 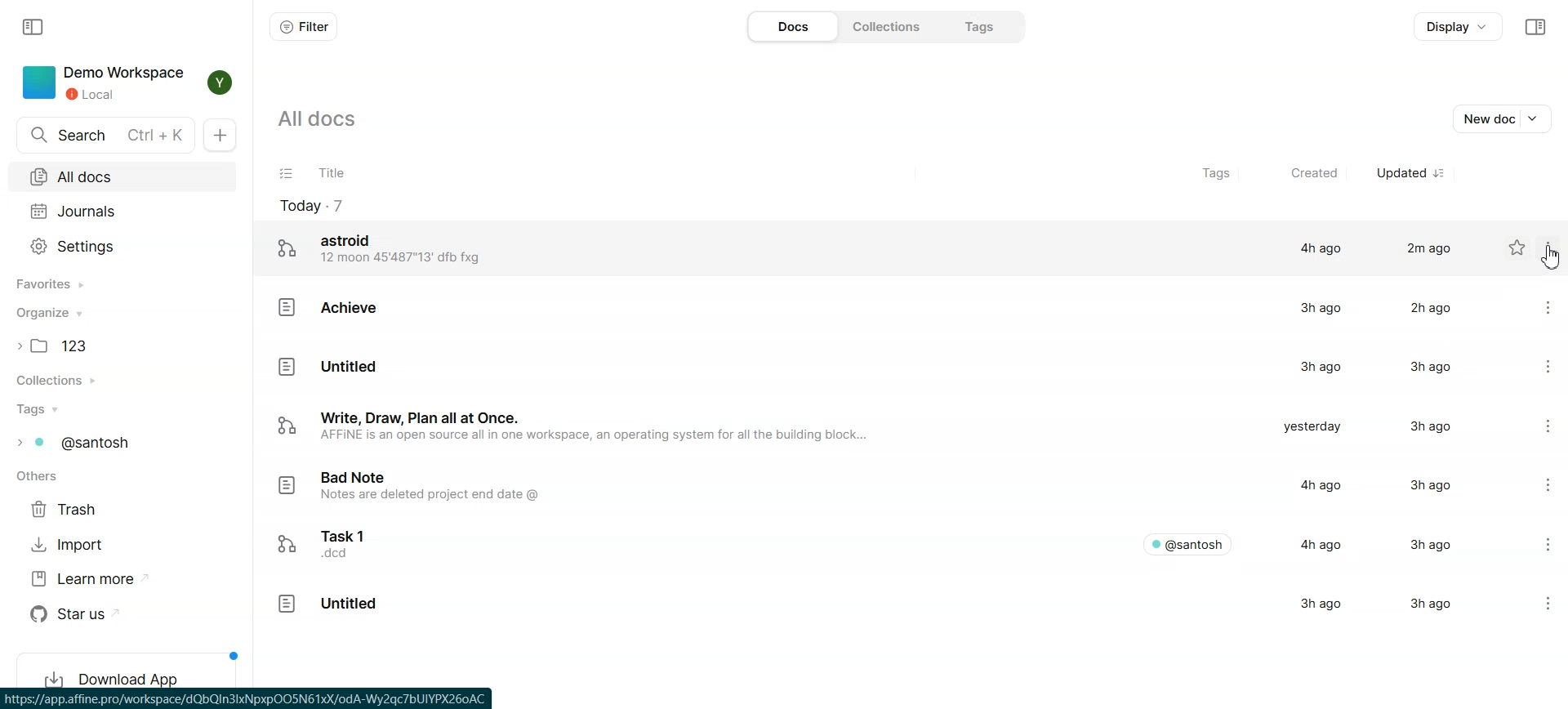 What do you see at coordinates (287, 174) in the screenshot?
I see `Checklist` at bounding box center [287, 174].